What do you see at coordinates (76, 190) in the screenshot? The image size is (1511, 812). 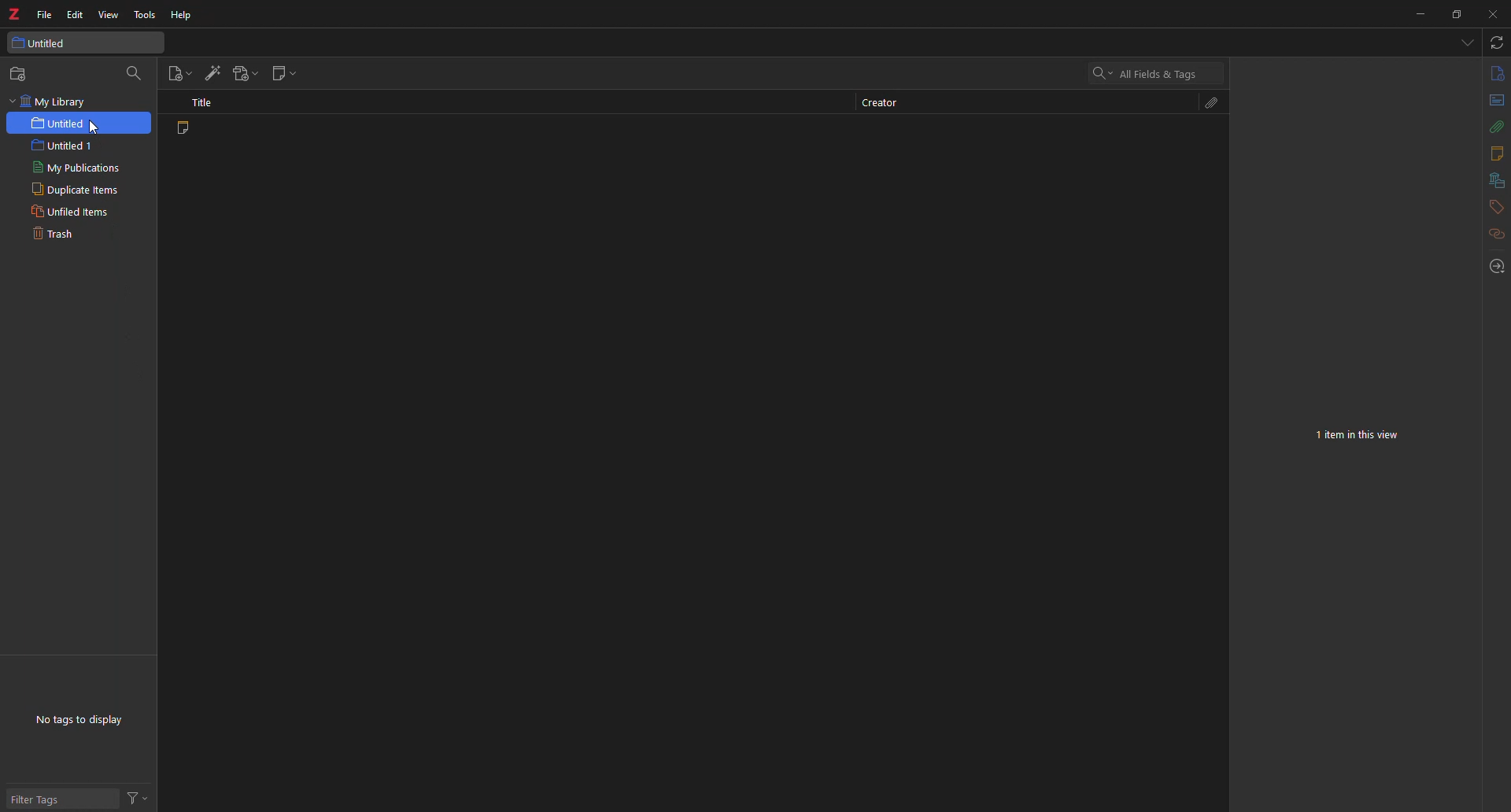 I see `duplicate items` at bounding box center [76, 190].